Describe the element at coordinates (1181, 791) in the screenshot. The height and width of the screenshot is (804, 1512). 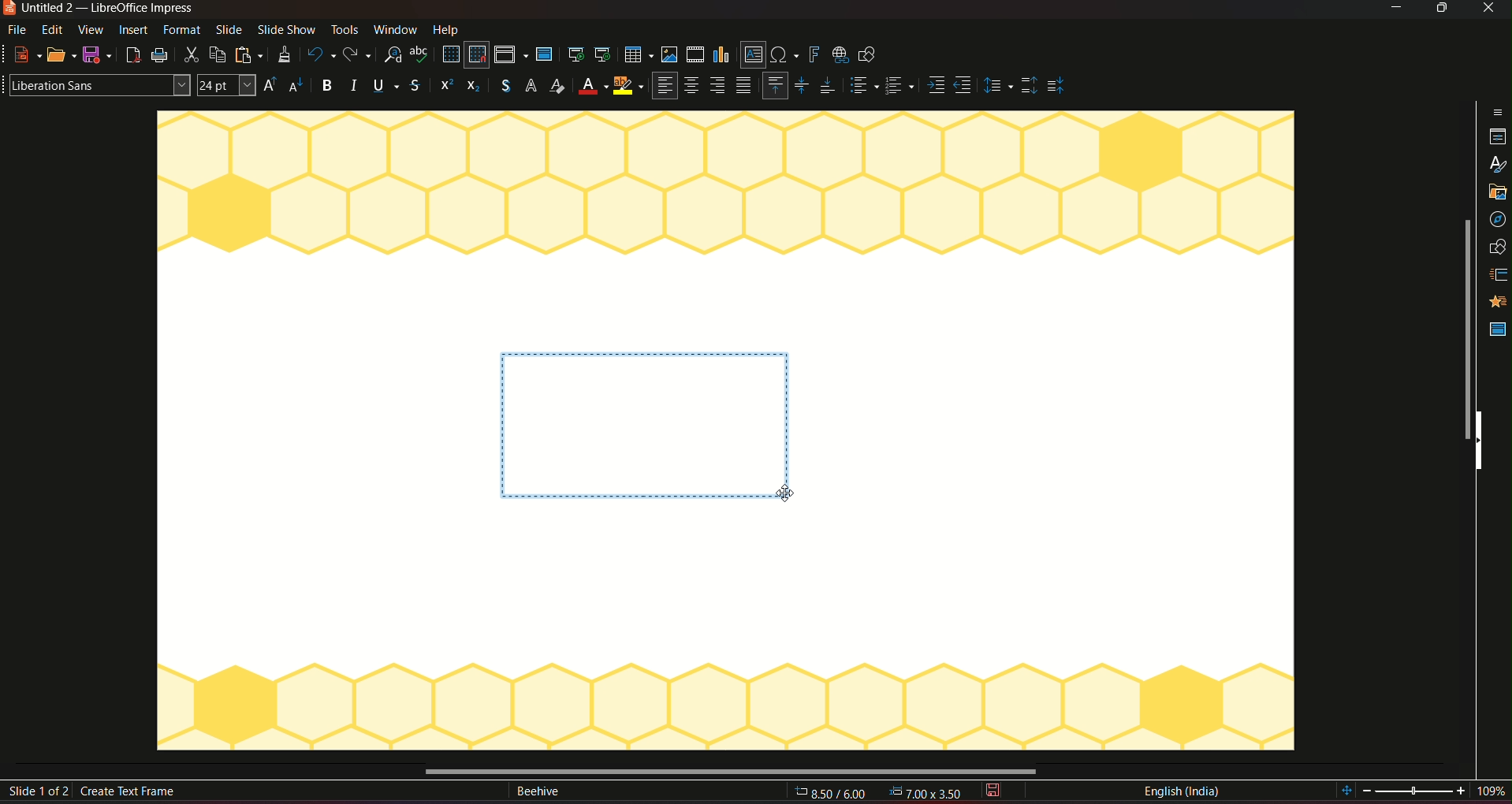
I see `language` at that location.